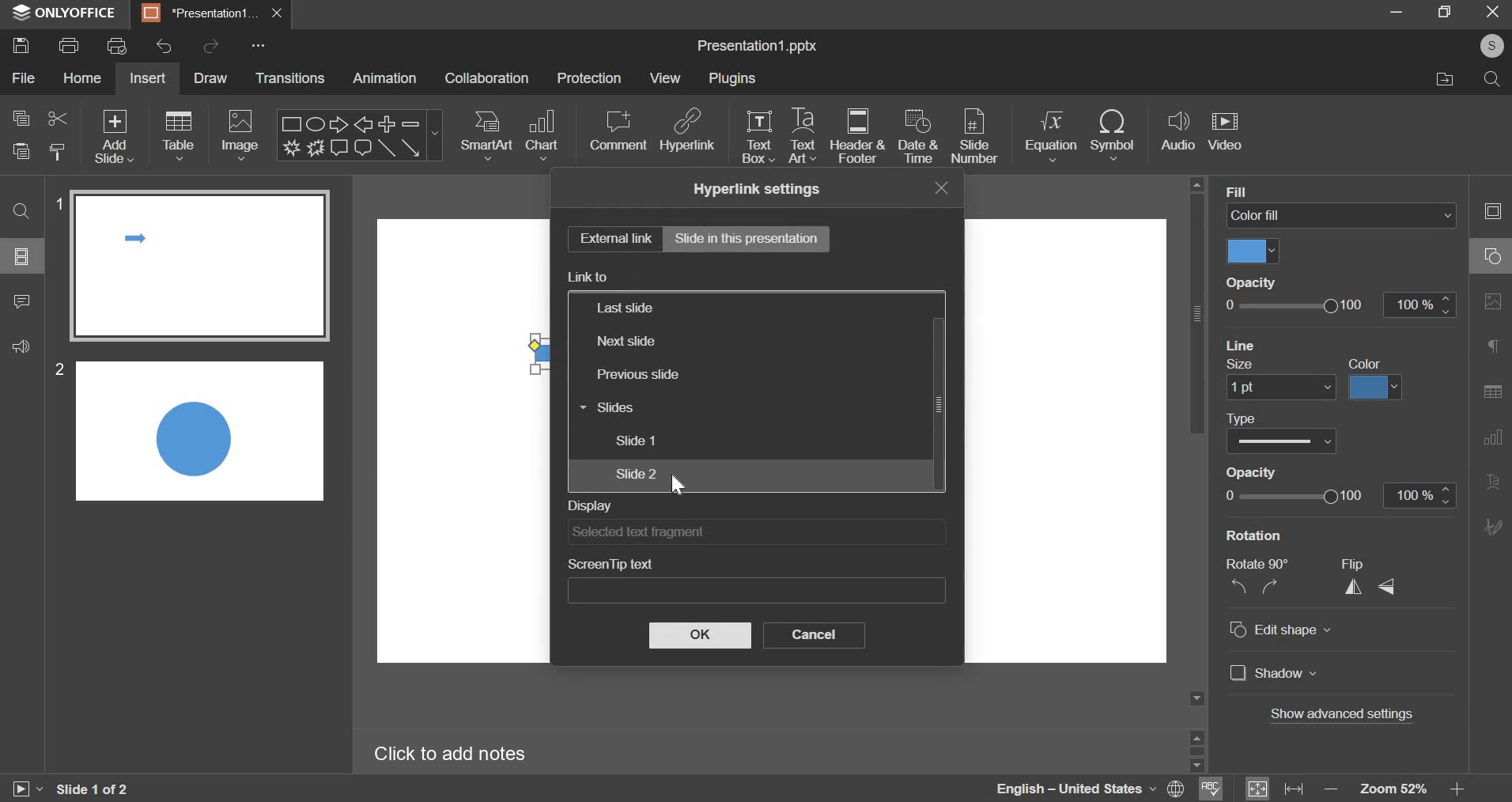 This screenshot has width=1512, height=802. I want to click on 1, so click(56, 204).